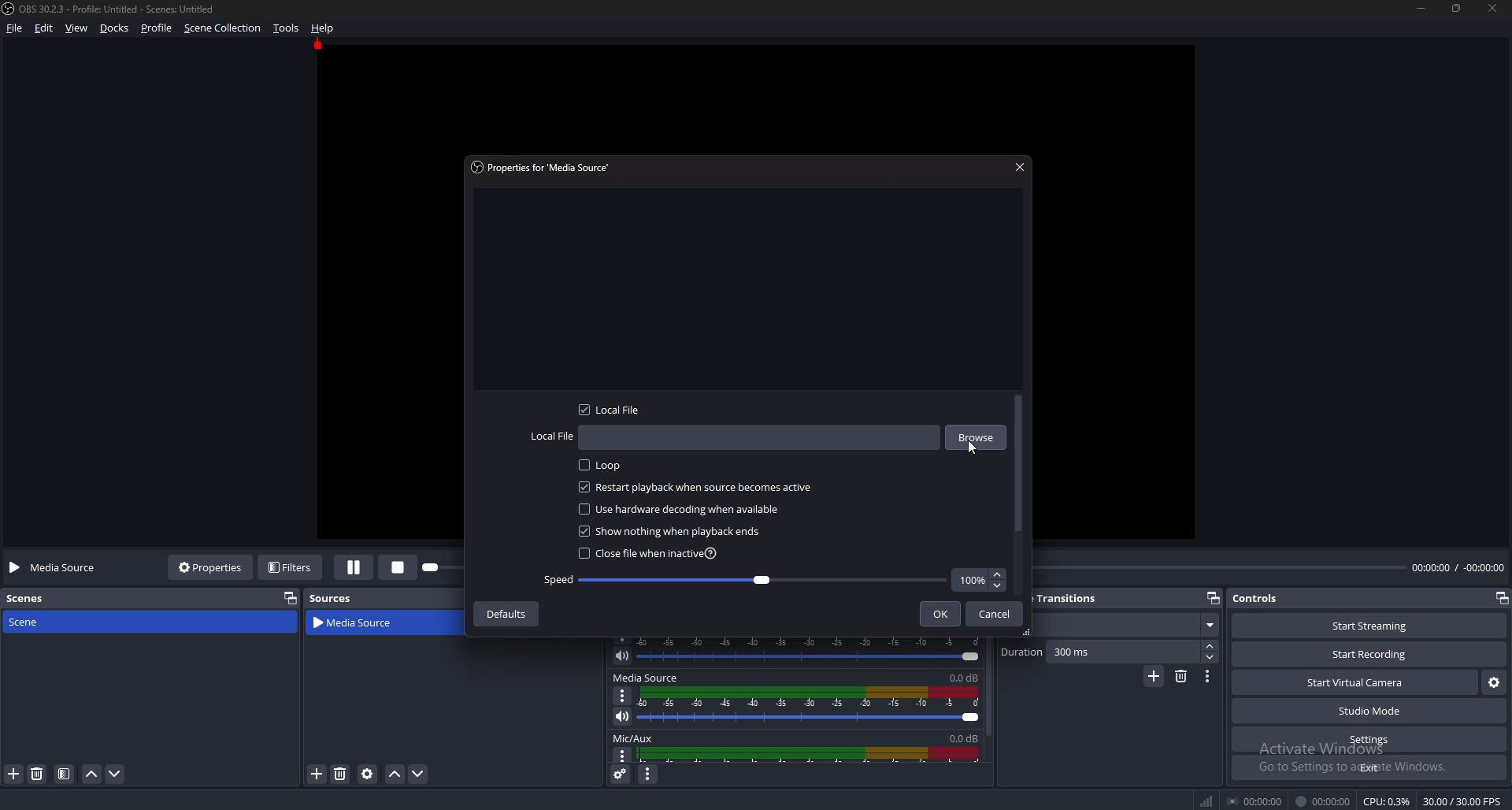 The image size is (1512, 810). What do you see at coordinates (622, 656) in the screenshot?
I see `mute` at bounding box center [622, 656].